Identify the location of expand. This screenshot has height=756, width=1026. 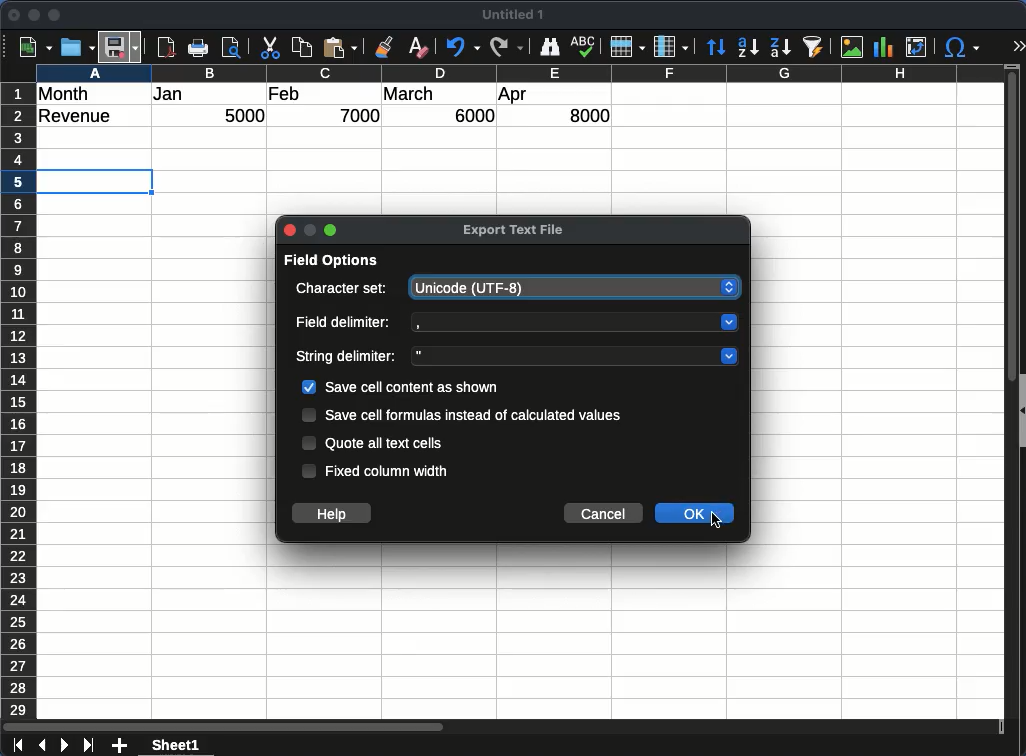
(1018, 46).